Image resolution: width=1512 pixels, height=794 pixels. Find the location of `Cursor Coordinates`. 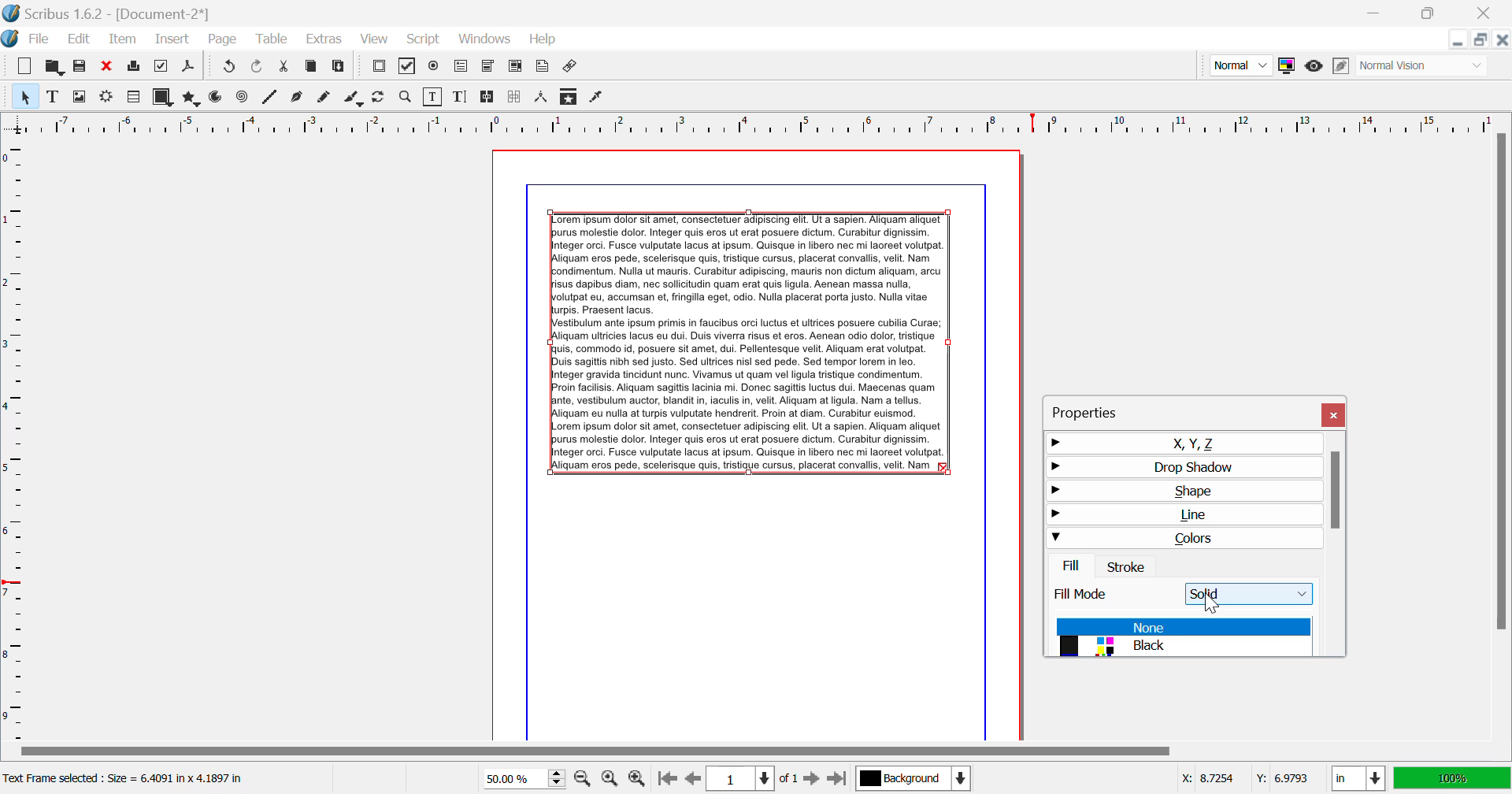

Cursor Coordinates is located at coordinates (1244, 779).